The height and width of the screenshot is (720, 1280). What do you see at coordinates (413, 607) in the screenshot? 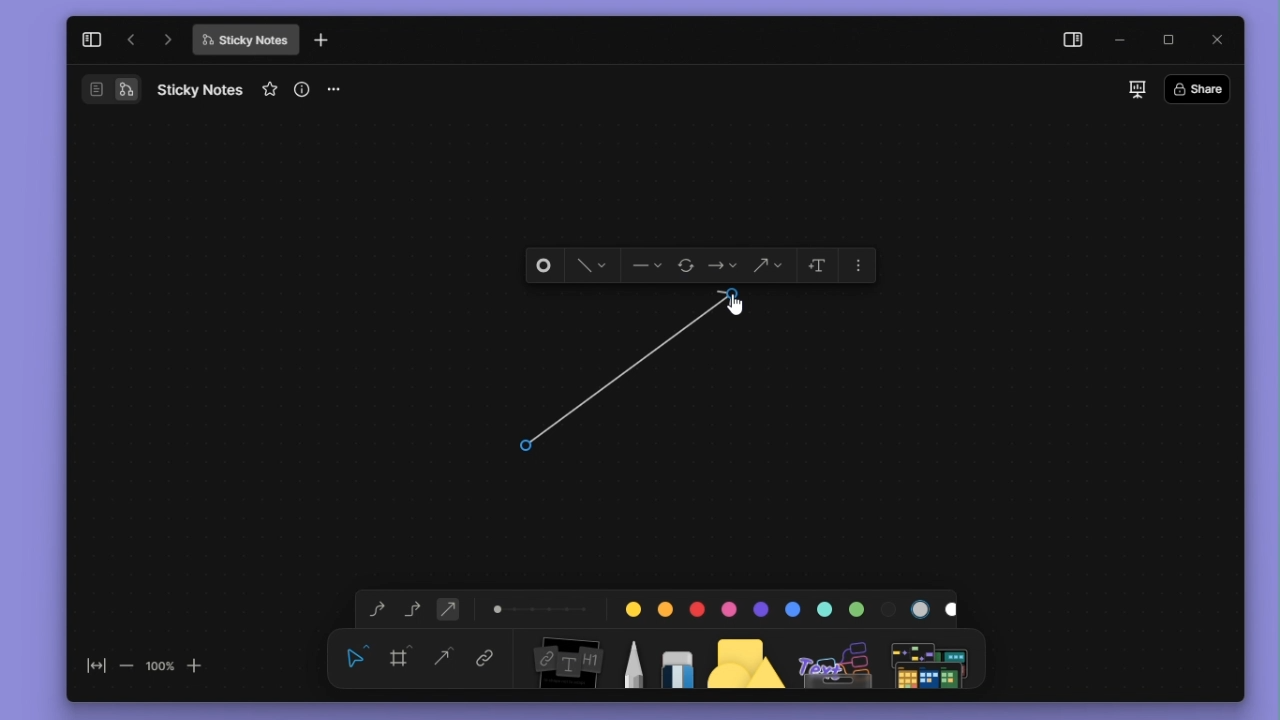
I see `elbowed` at bounding box center [413, 607].